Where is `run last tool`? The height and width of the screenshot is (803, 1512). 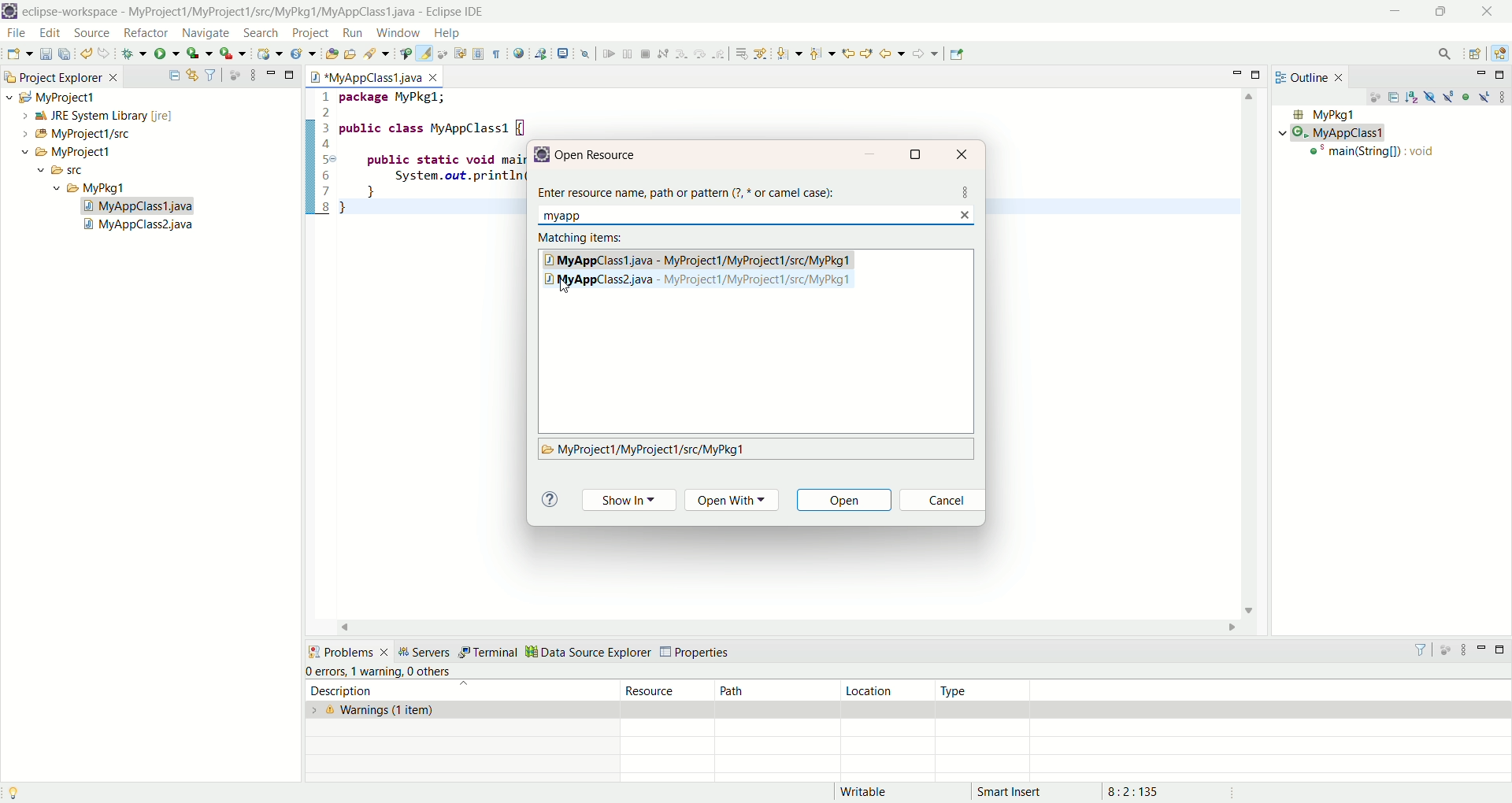
run last tool is located at coordinates (232, 55).